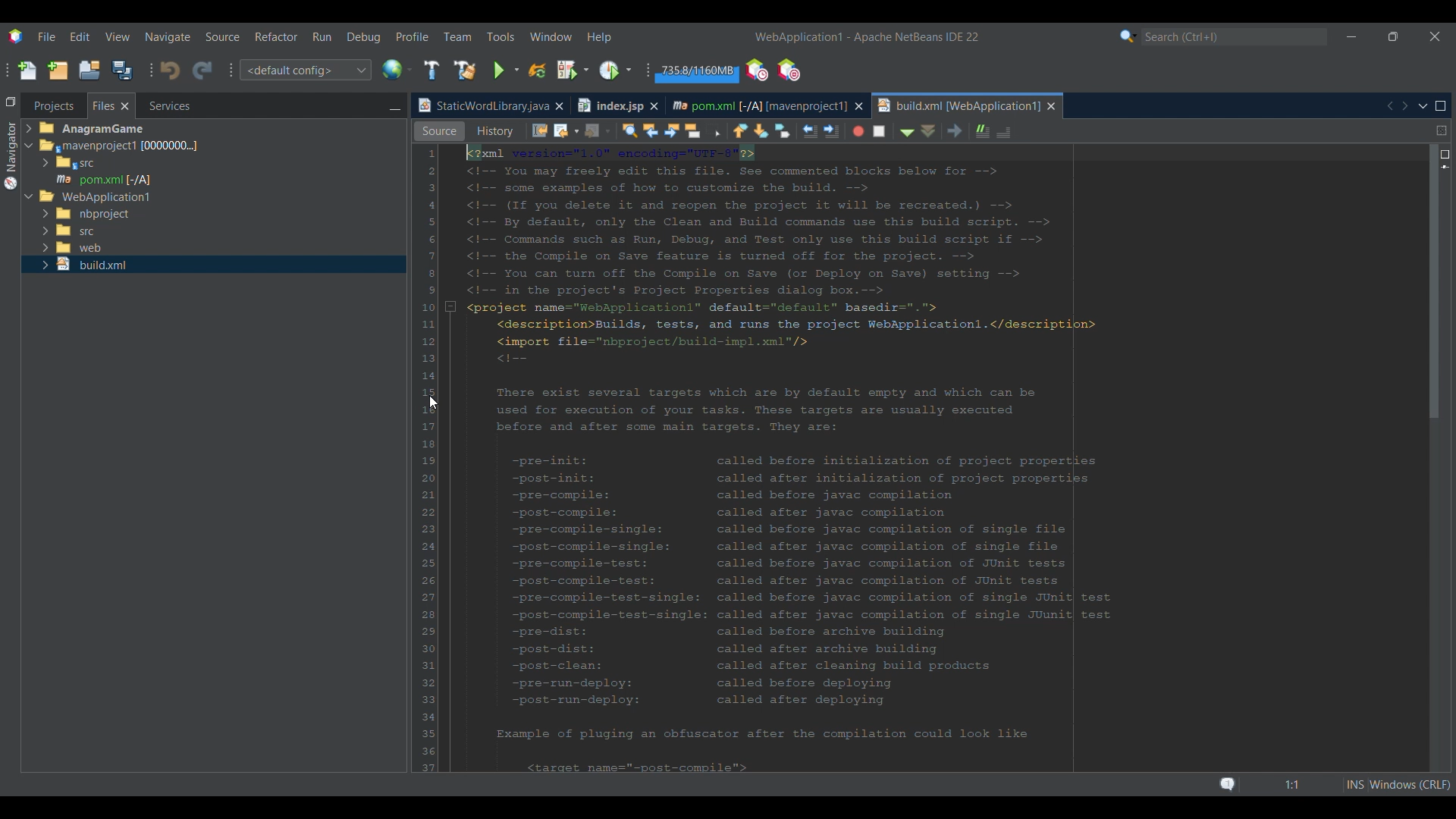 The height and width of the screenshot is (819, 1456). Describe the element at coordinates (798, 36) in the screenshot. I see `Project name changed` at that location.